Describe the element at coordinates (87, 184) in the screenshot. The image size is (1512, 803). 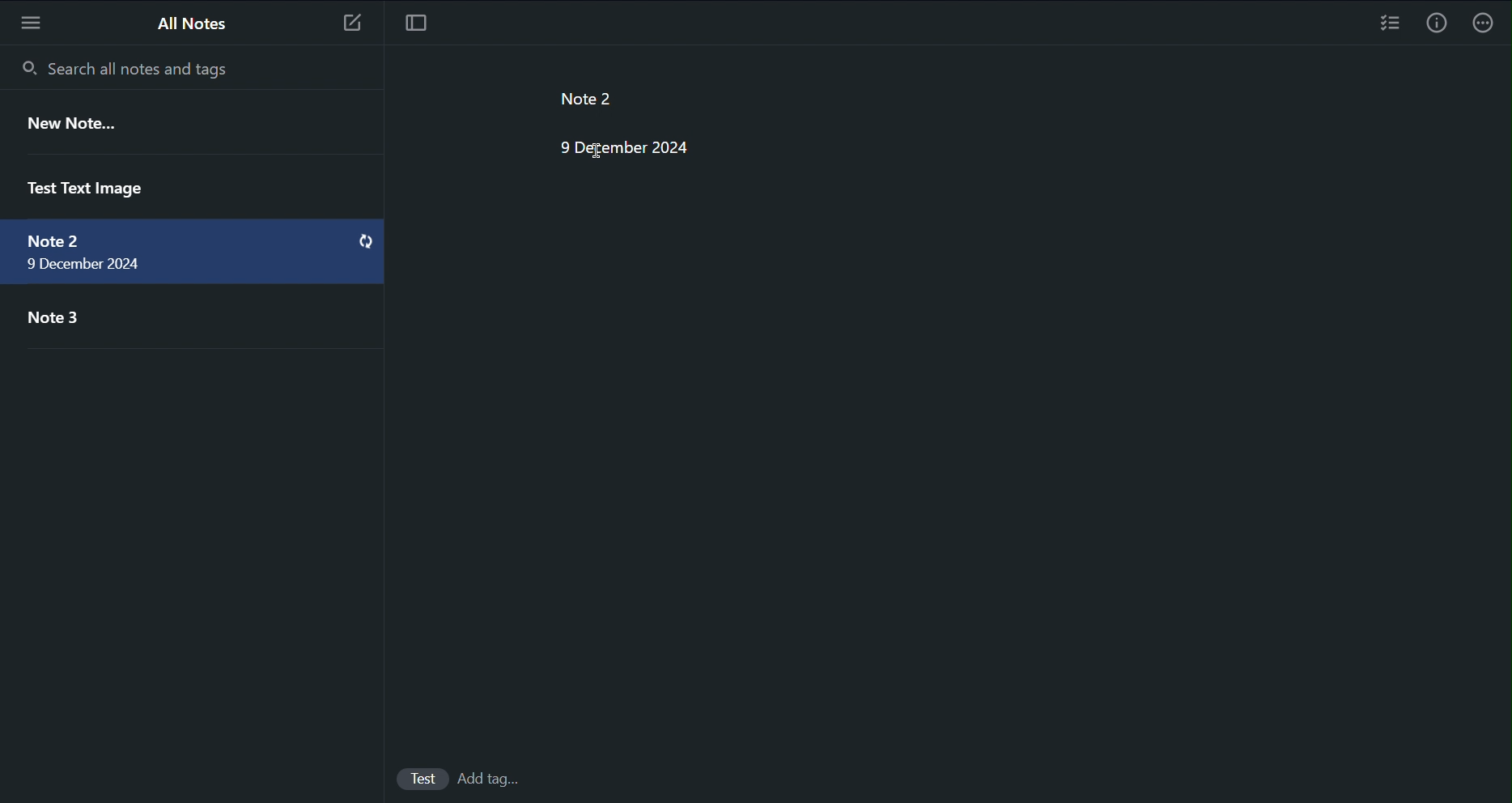
I see `Test Text Image` at that location.